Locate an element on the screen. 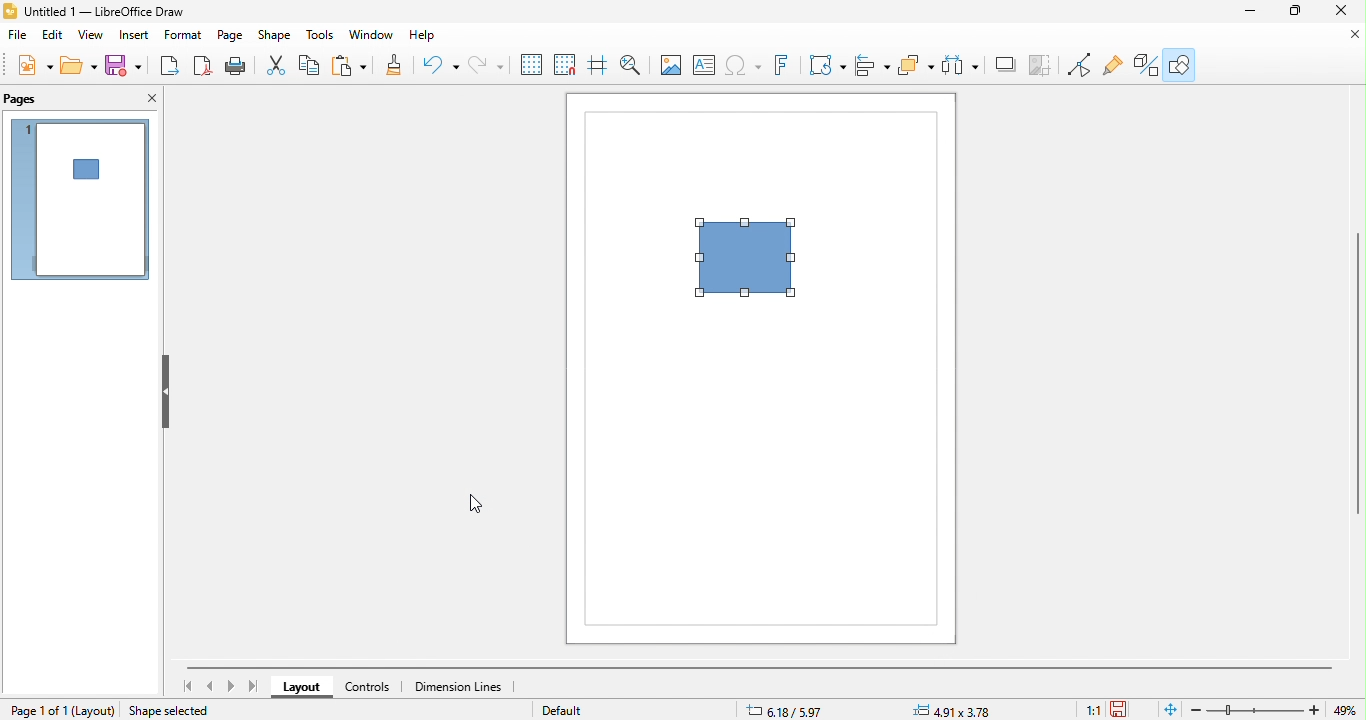  help is located at coordinates (431, 39).